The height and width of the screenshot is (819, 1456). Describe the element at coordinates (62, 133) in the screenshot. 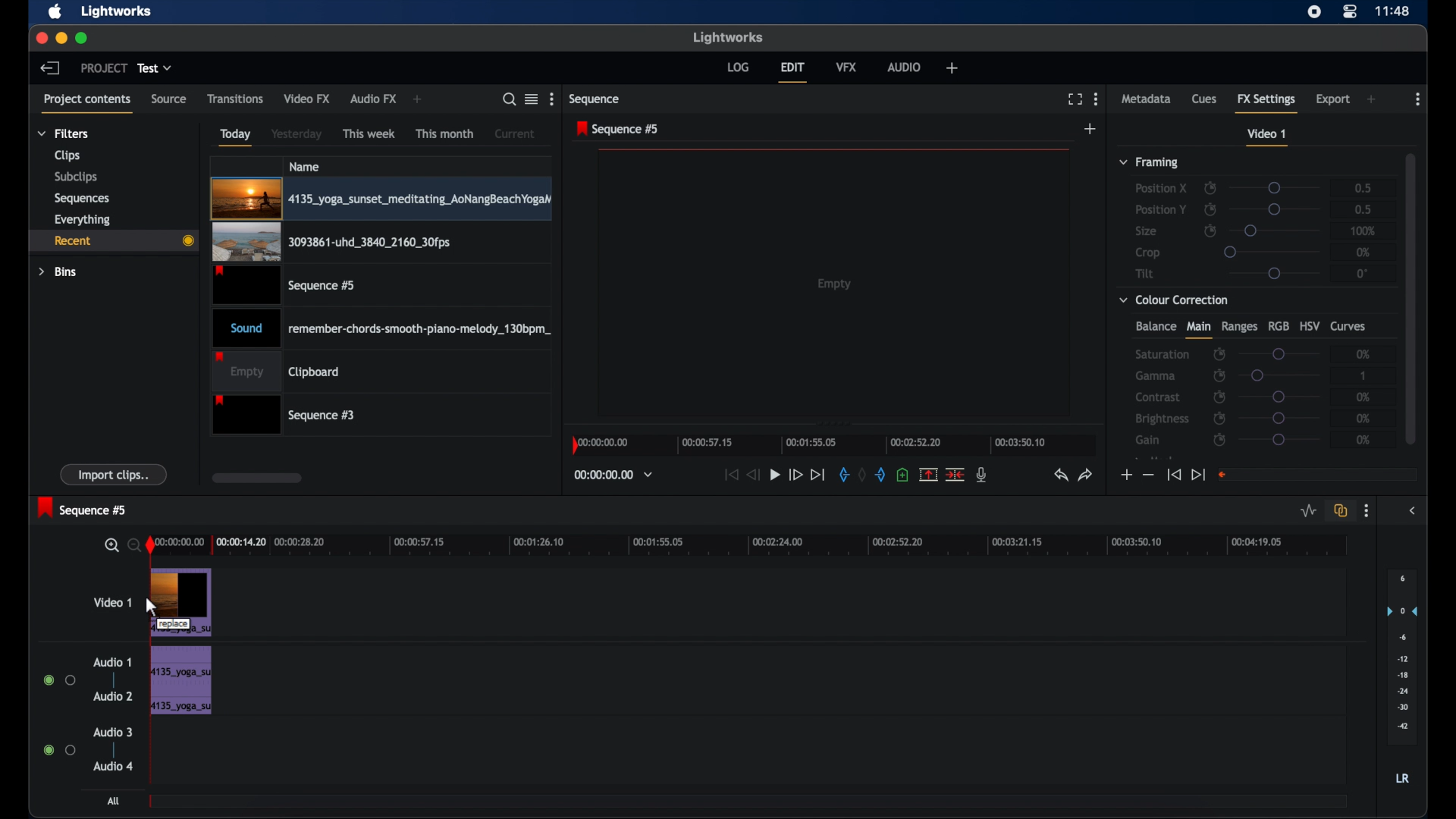

I see `filters` at that location.